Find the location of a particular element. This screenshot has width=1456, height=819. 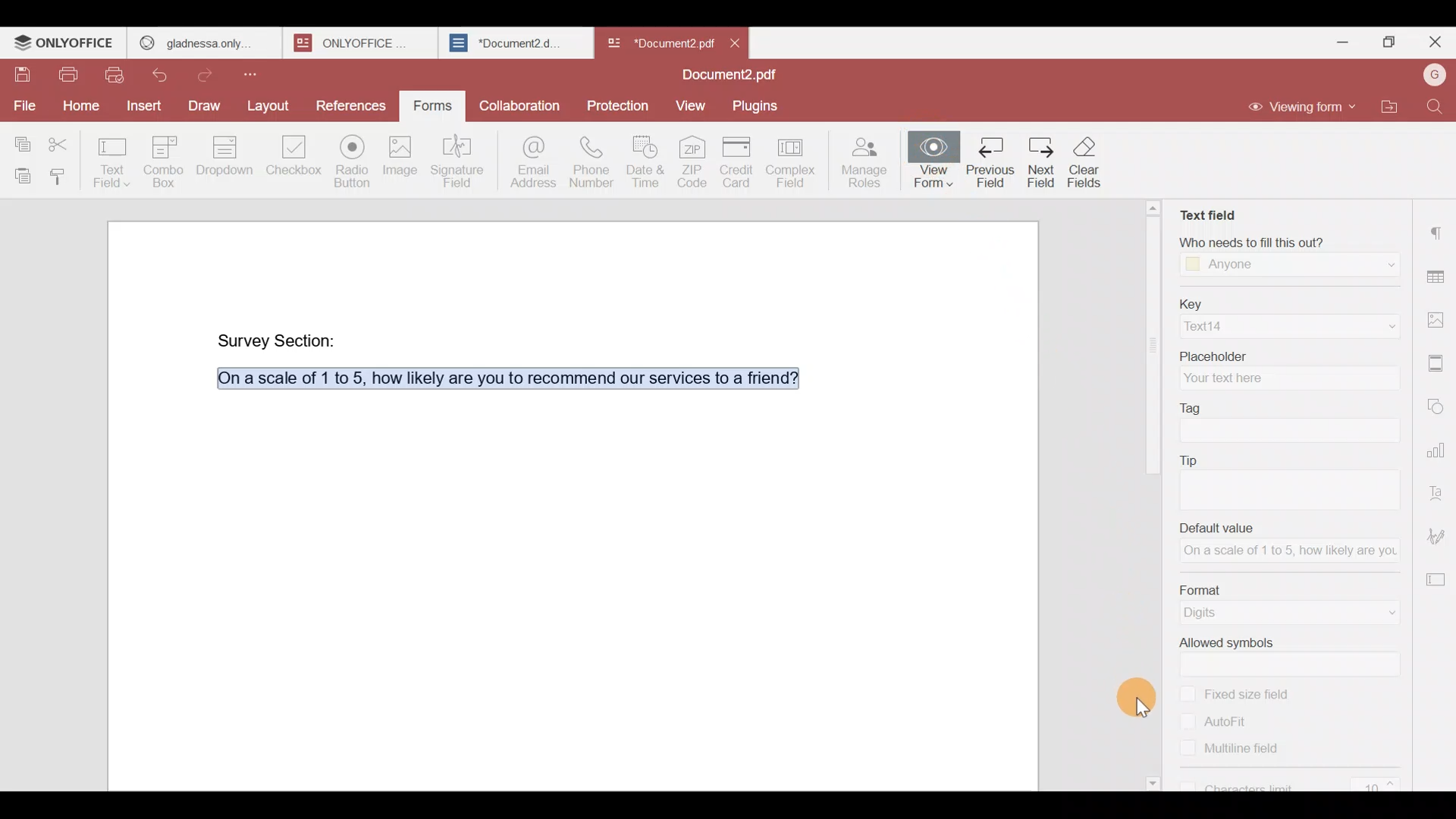

Document2.pdf is located at coordinates (724, 76).